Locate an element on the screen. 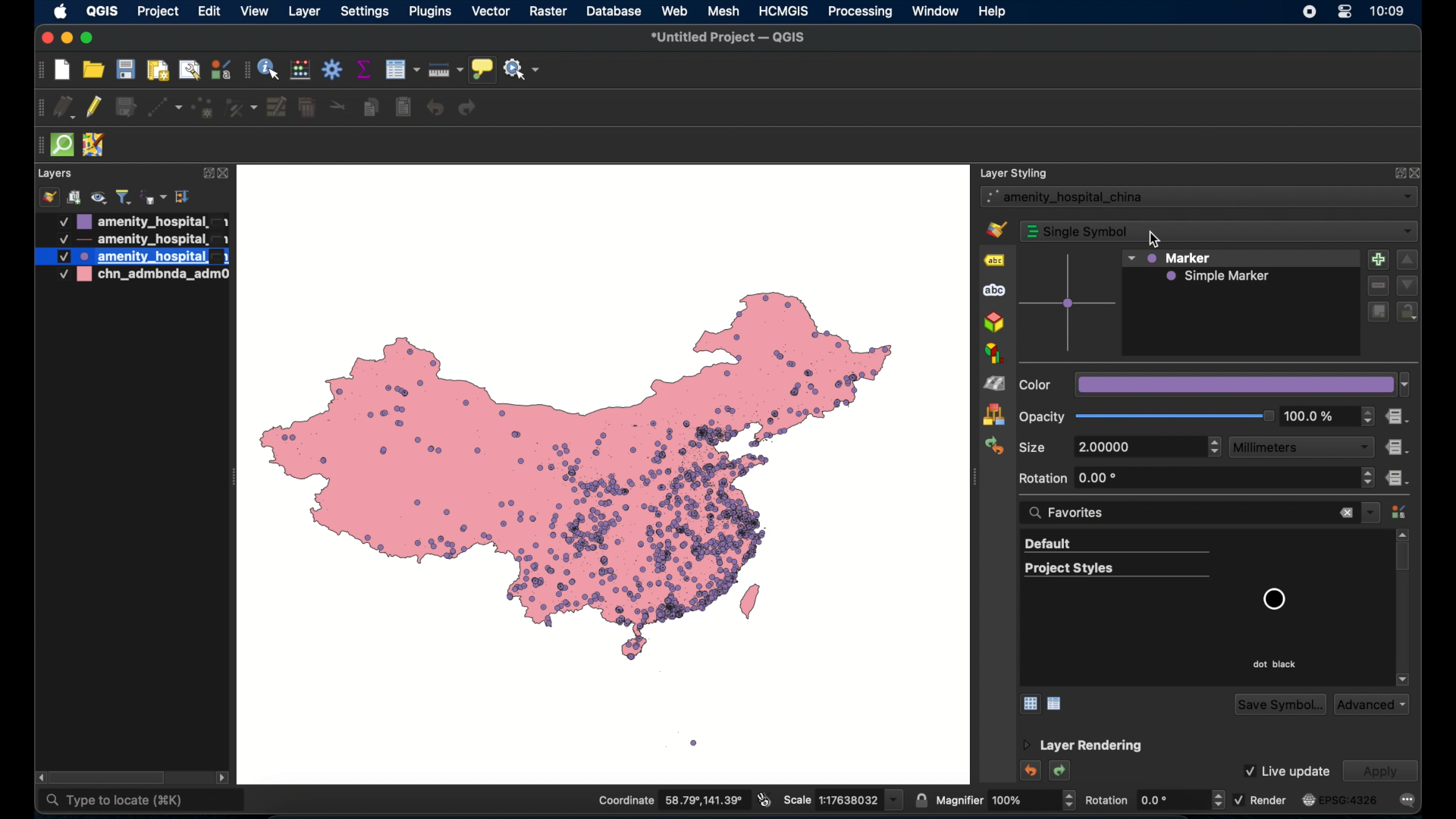 The image size is (1456, 819). QGIS is located at coordinates (102, 11).